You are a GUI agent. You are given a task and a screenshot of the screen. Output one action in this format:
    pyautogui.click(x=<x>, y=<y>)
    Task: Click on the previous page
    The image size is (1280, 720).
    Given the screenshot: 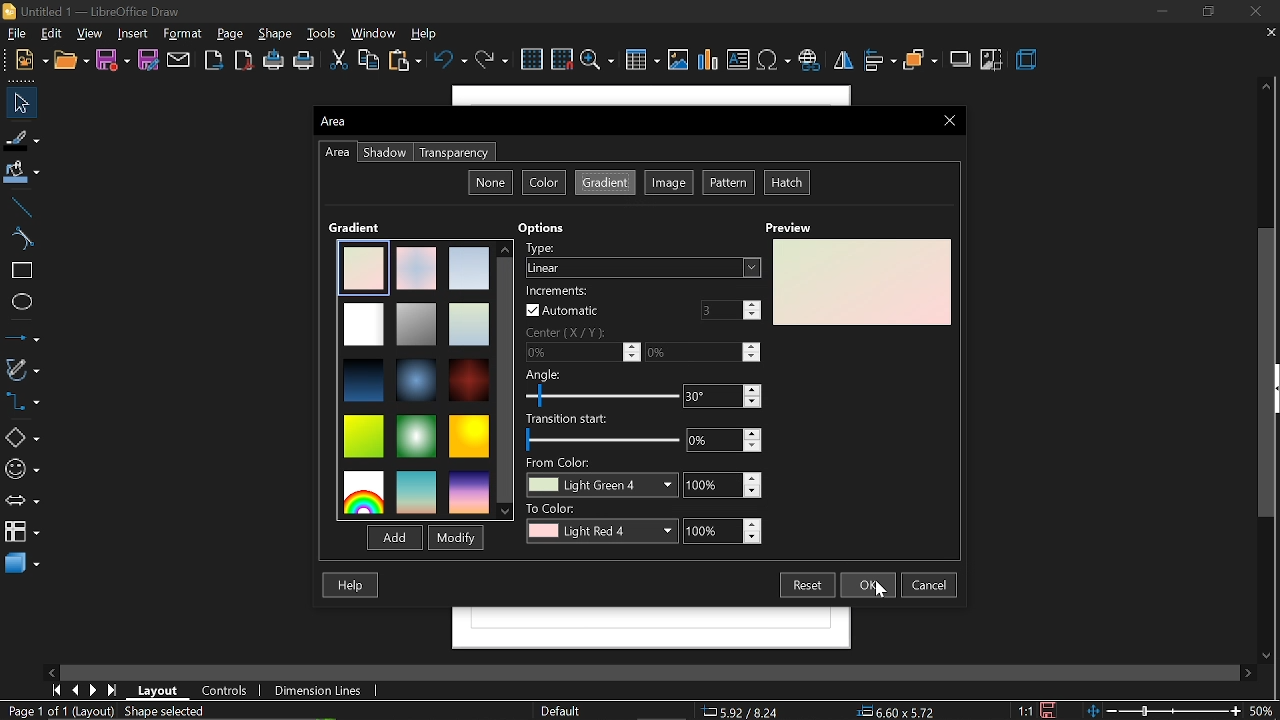 What is the action you would take?
    pyautogui.click(x=75, y=689)
    